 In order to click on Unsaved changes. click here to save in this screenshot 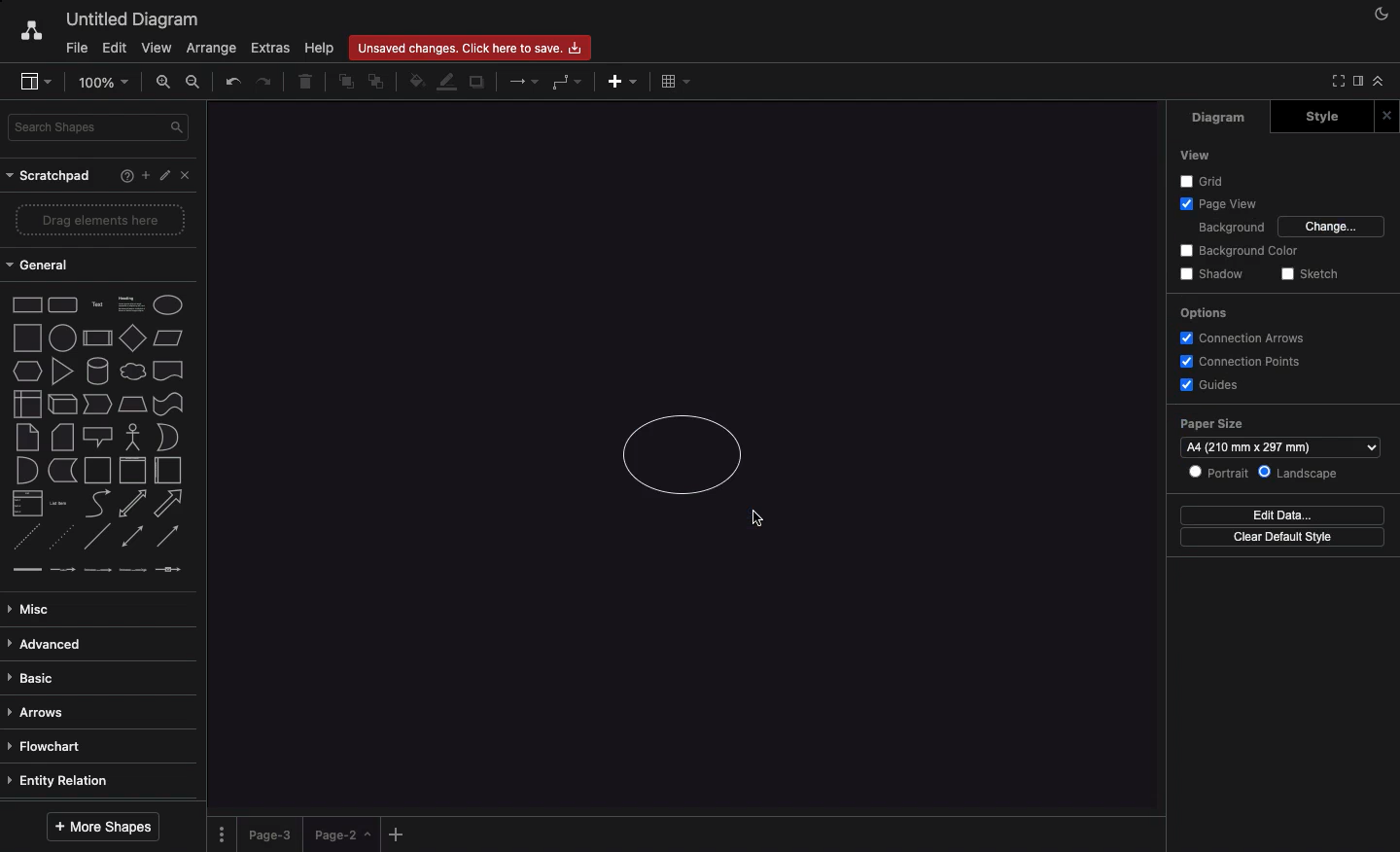, I will do `click(468, 47)`.